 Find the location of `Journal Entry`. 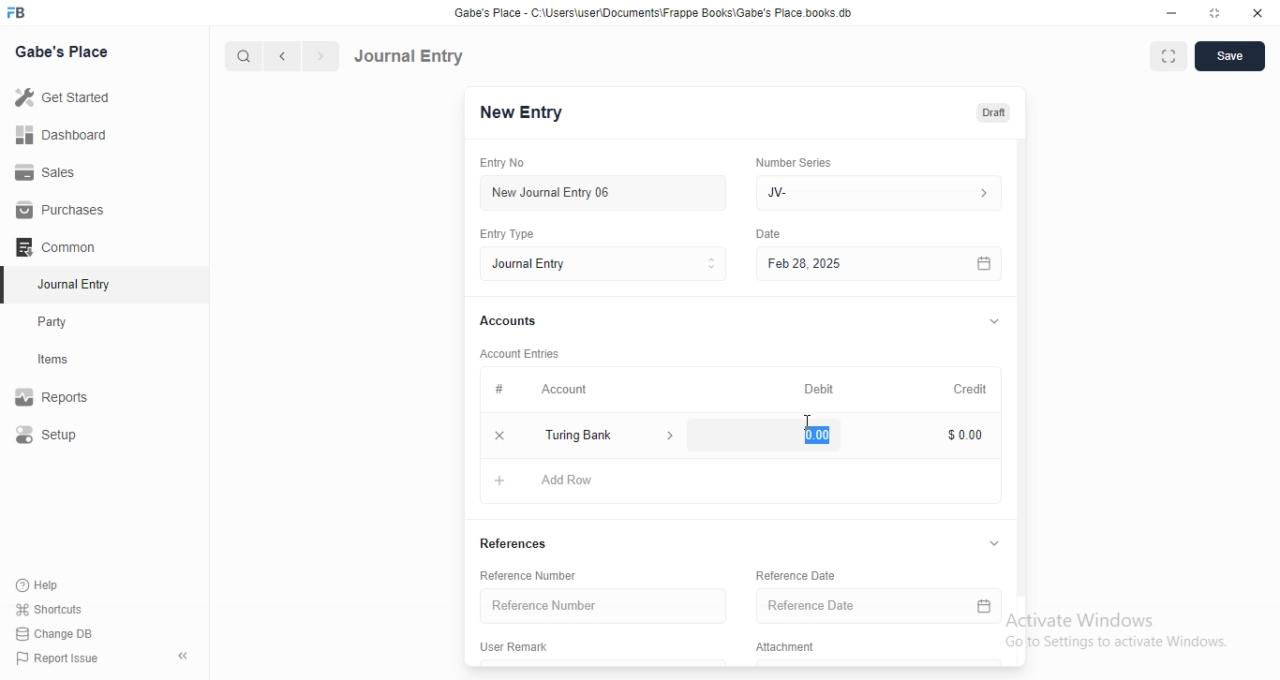

Journal Entry is located at coordinates (410, 55).